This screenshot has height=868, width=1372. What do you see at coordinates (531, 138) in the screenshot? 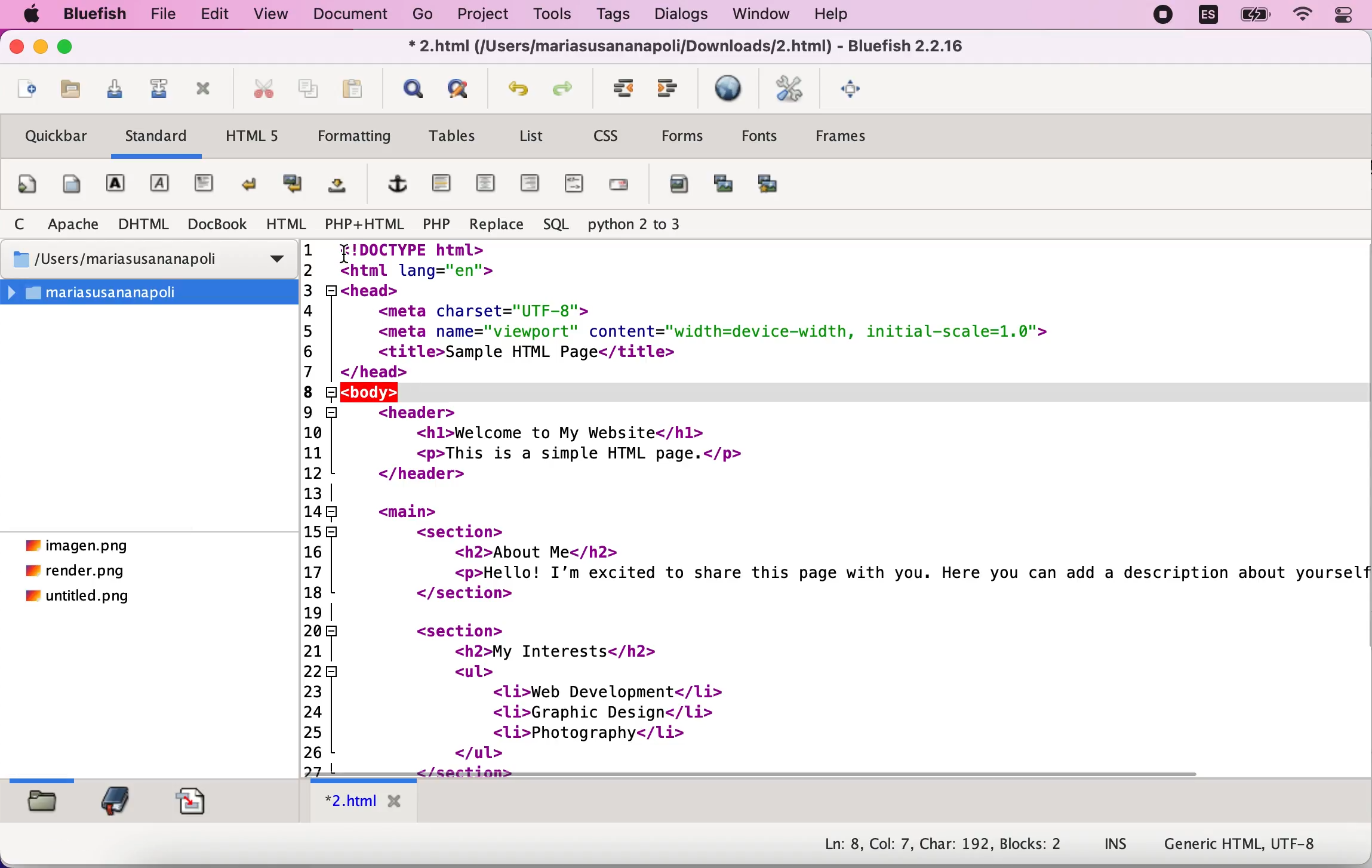
I see `list` at bounding box center [531, 138].